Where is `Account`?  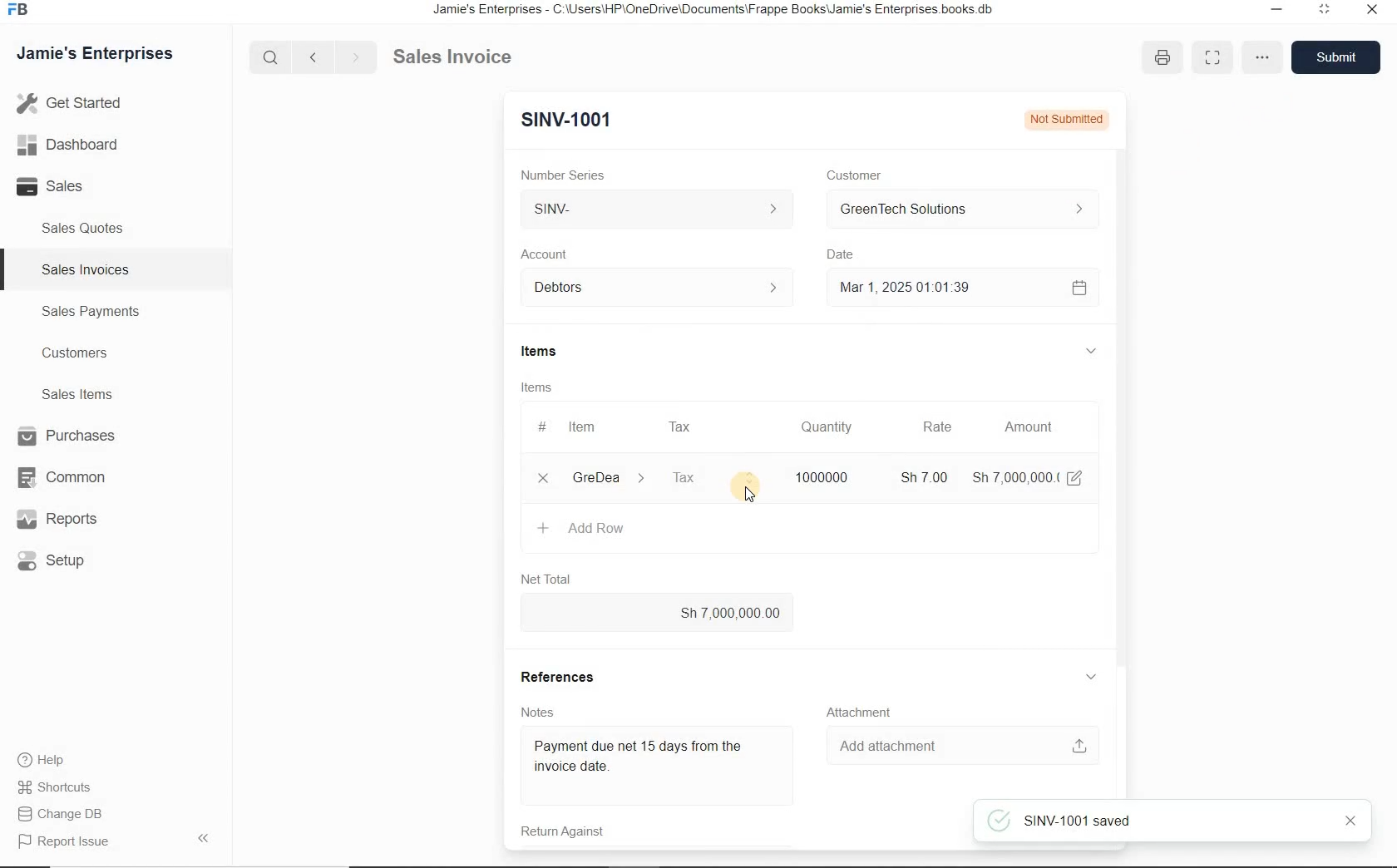 Account is located at coordinates (545, 254).